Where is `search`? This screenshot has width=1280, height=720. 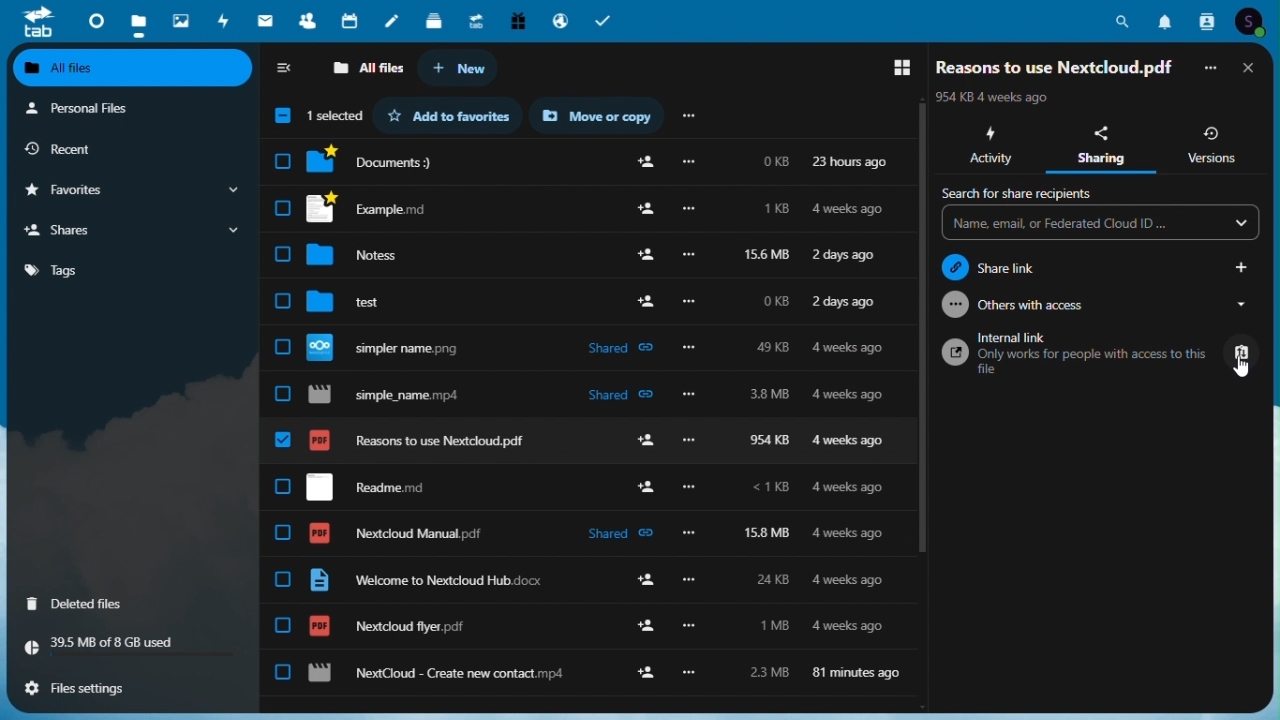
search is located at coordinates (1127, 18).